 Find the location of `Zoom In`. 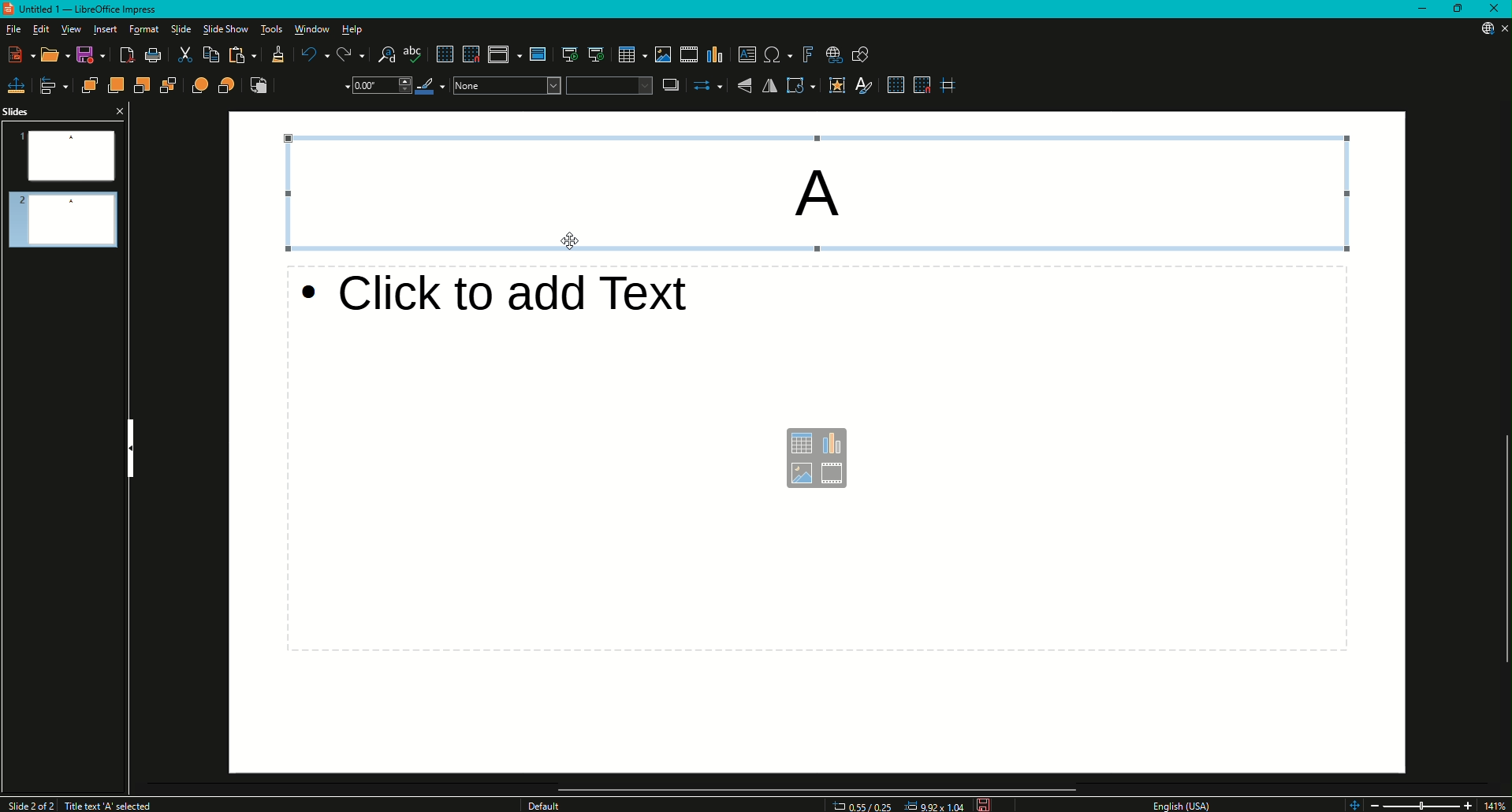

Zoom In is located at coordinates (1468, 803).